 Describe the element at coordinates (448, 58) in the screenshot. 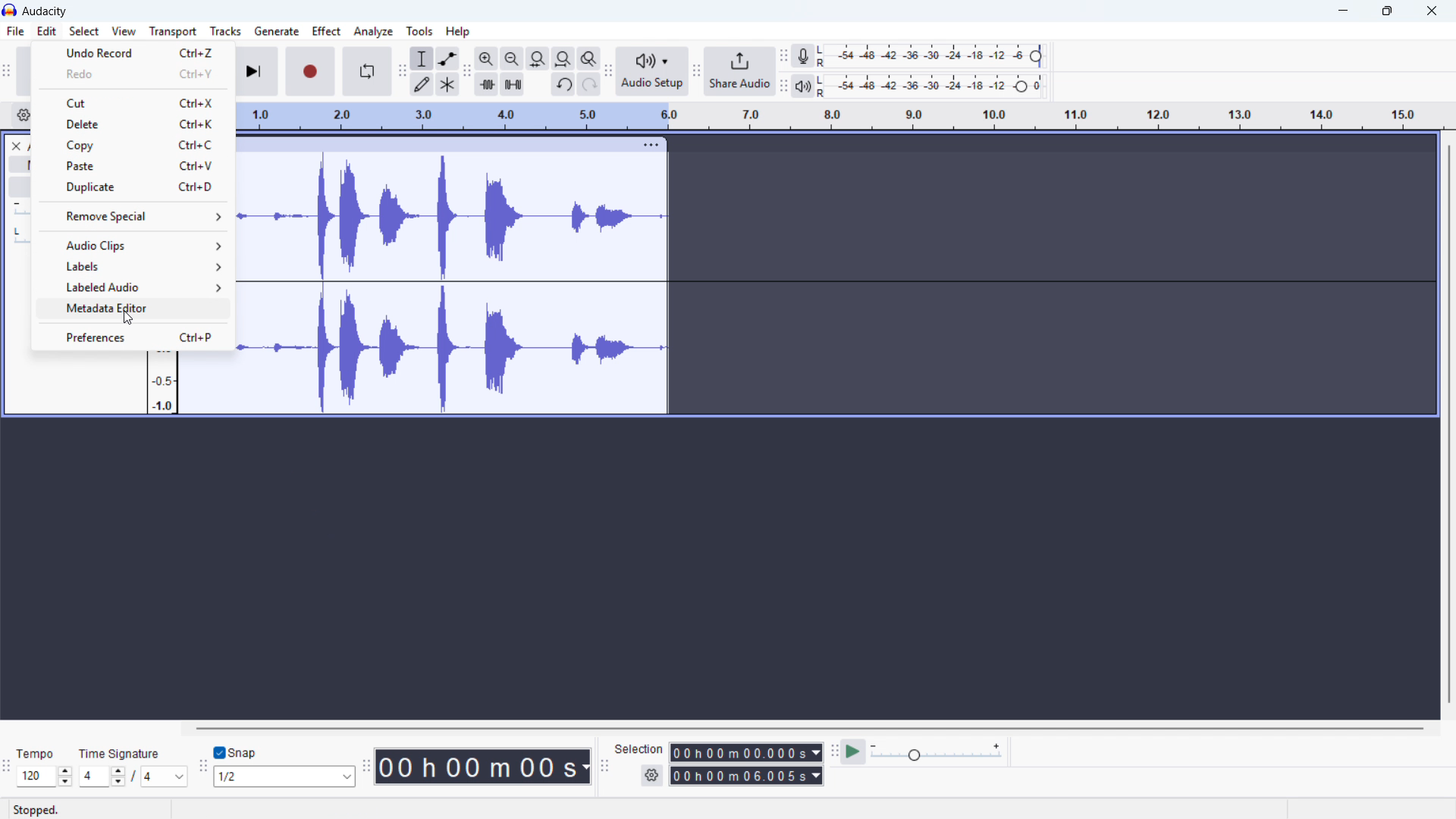

I see `envelop tool` at that location.